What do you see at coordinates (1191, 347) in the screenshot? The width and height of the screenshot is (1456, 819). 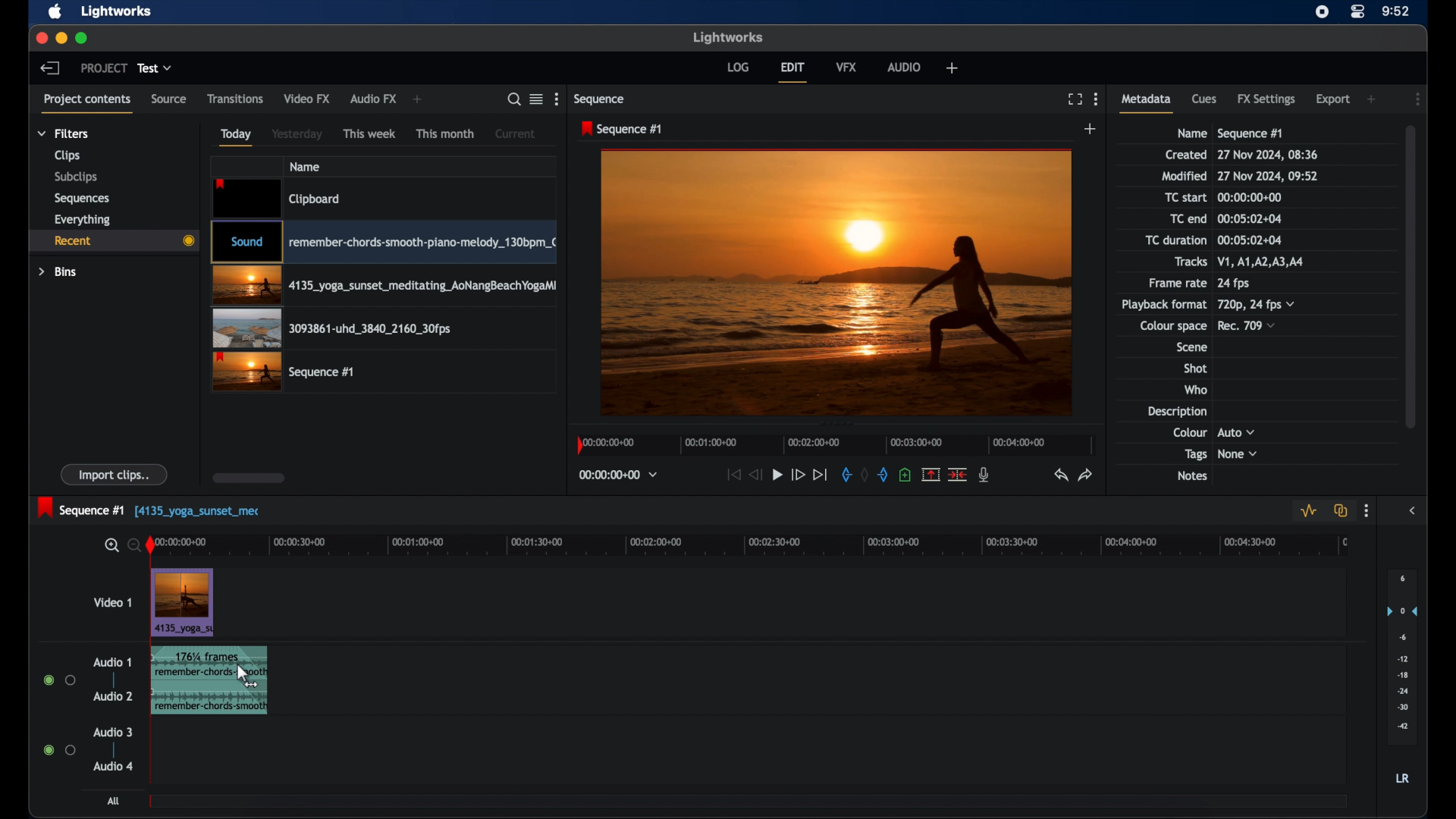 I see `scene` at bounding box center [1191, 347].